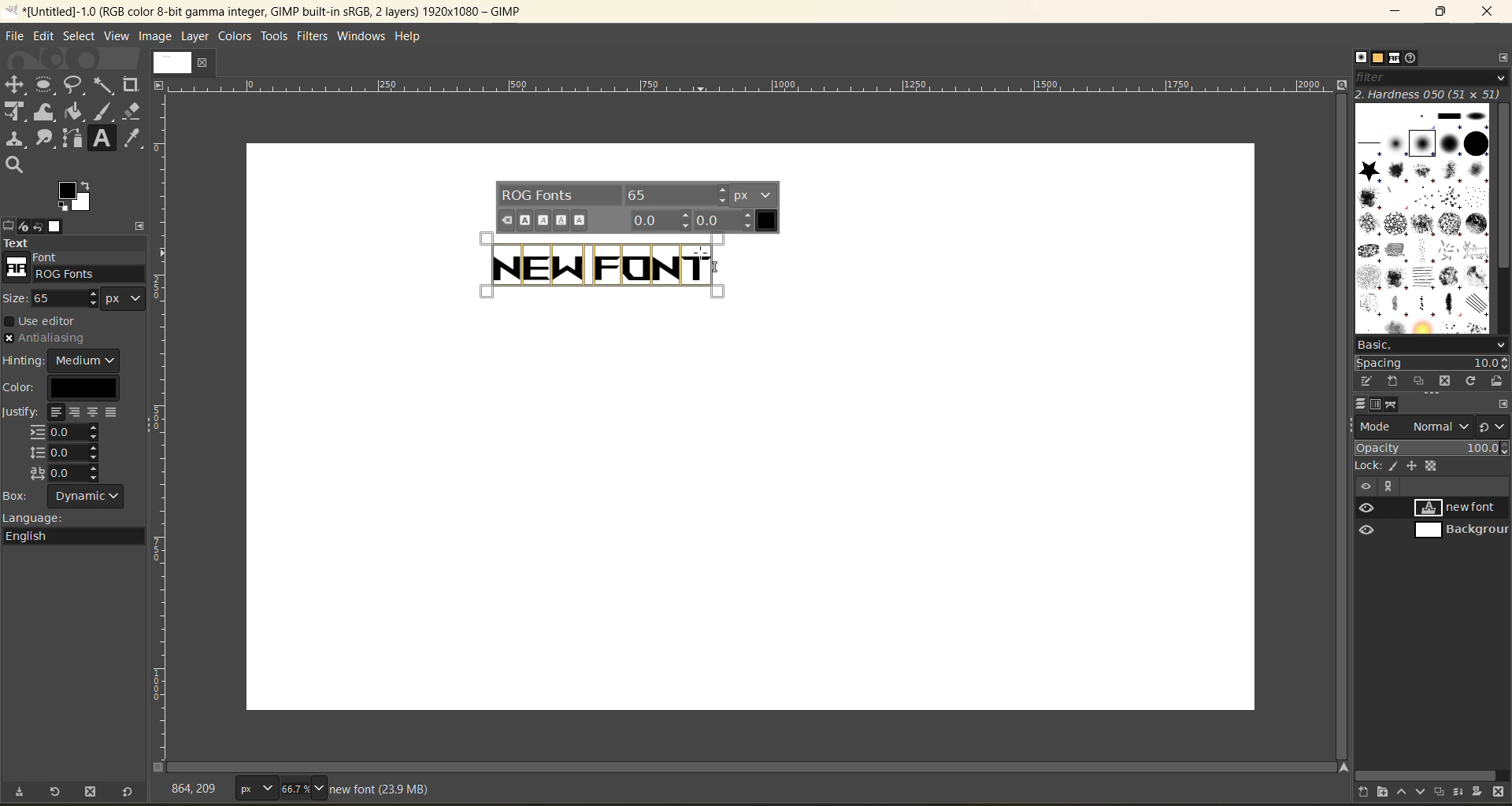 The height and width of the screenshot is (806, 1512). Describe the element at coordinates (24, 227) in the screenshot. I see `device status` at that location.